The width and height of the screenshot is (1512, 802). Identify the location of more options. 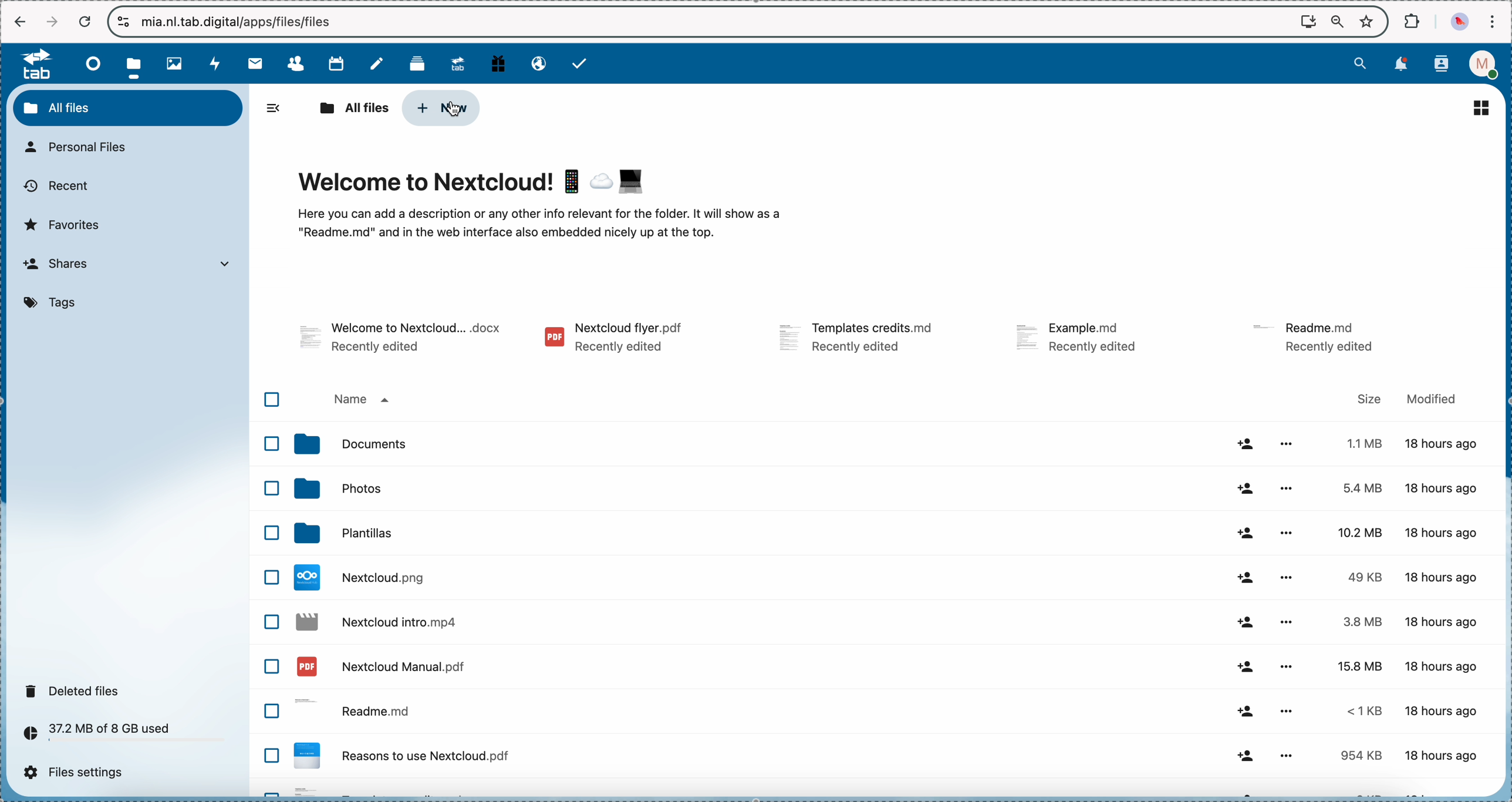
(1285, 533).